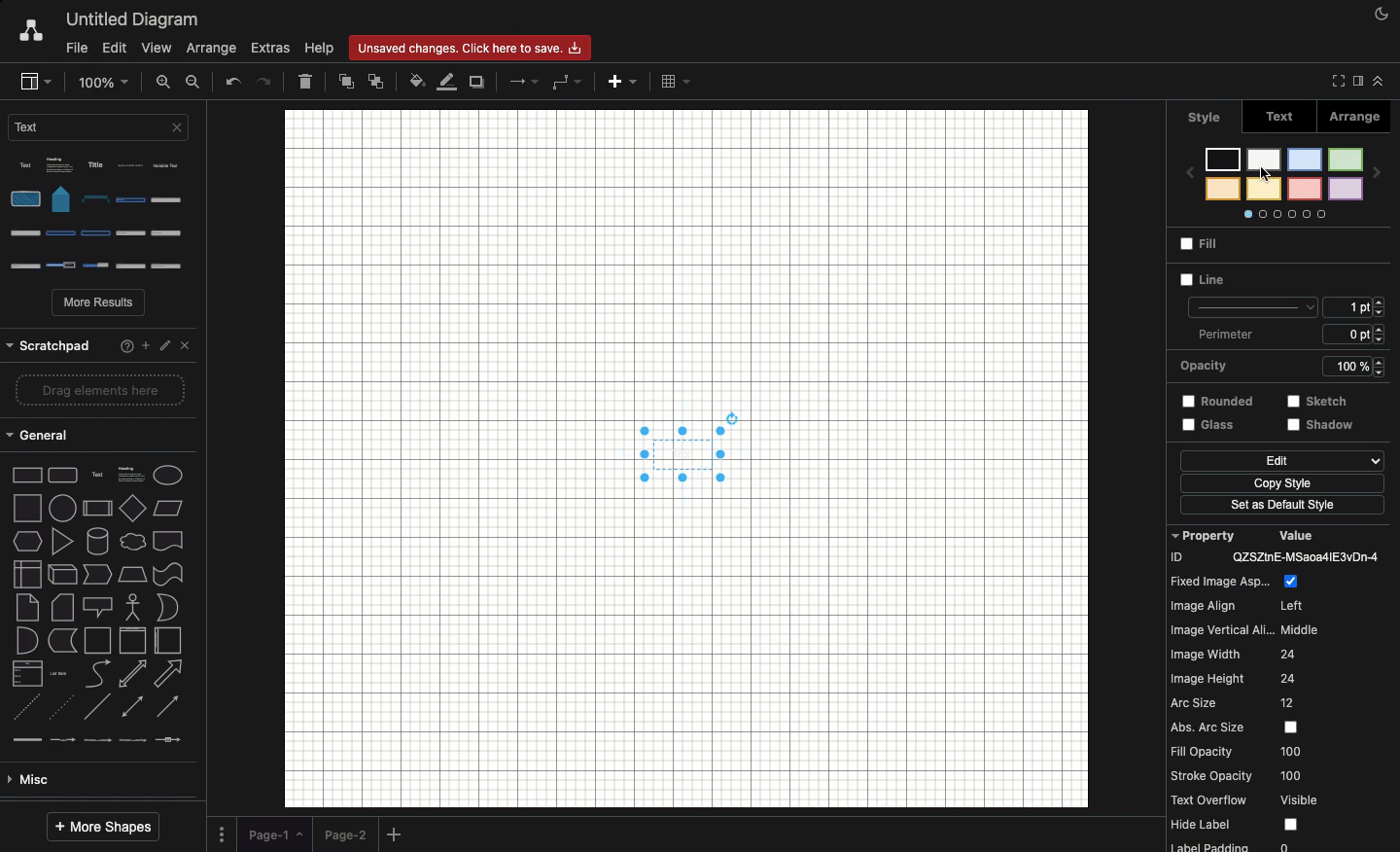  What do you see at coordinates (1357, 120) in the screenshot?
I see `Arrange` at bounding box center [1357, 120].